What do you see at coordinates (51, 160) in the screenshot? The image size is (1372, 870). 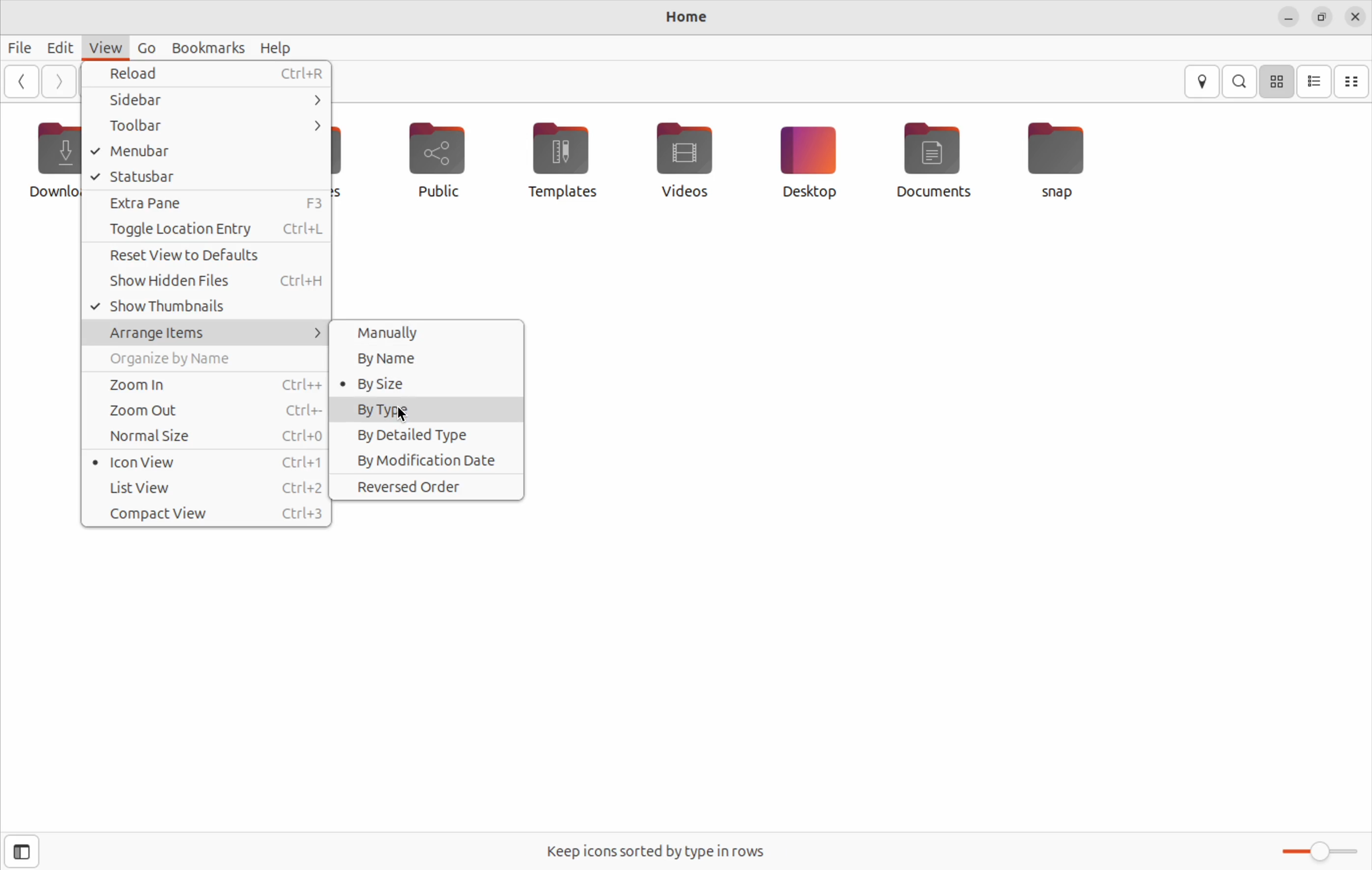 I see `downloads` at bounding box center [51, 160].